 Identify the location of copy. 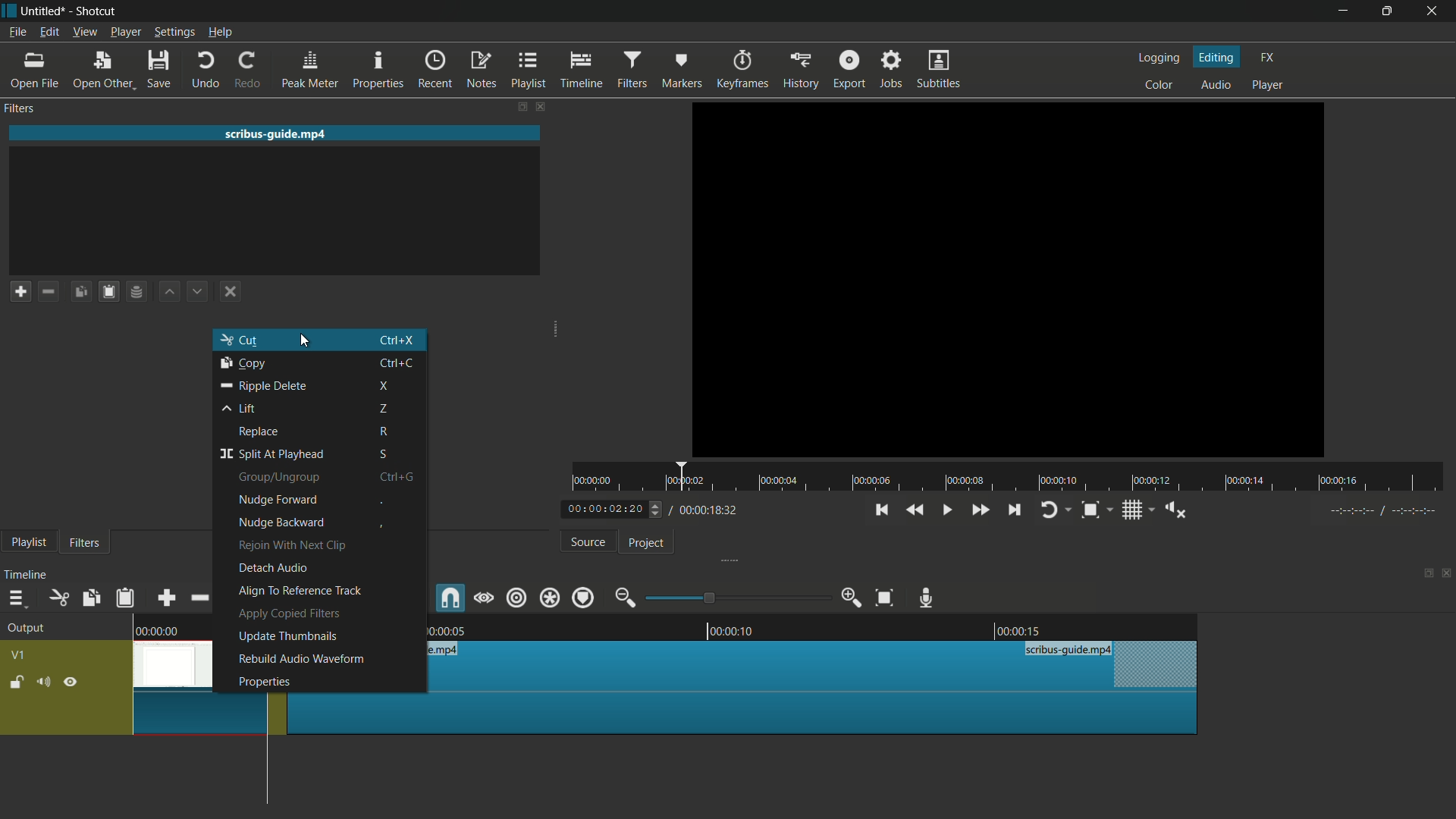
(90, 599).